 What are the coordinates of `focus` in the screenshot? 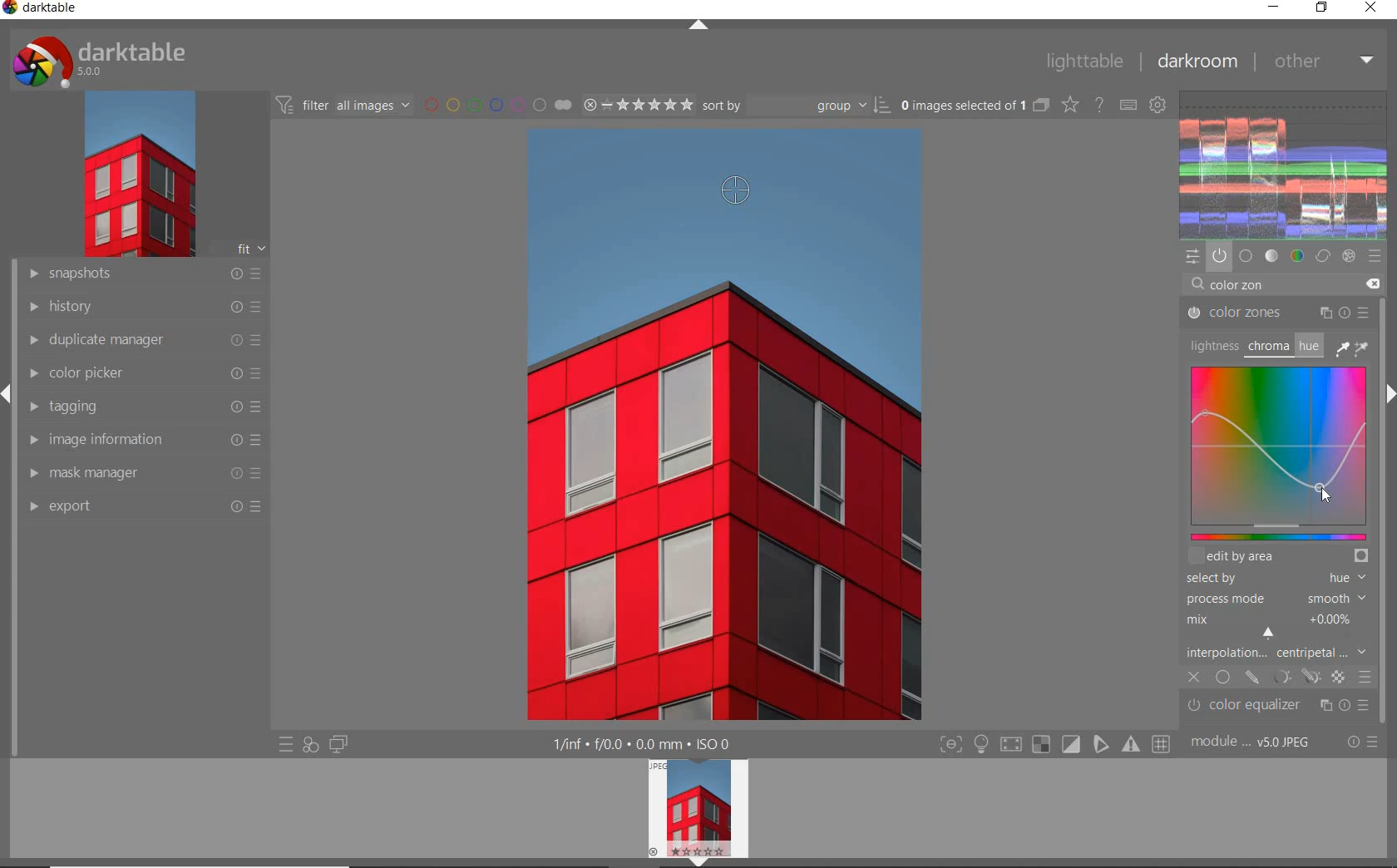 It's located at (950, 745).